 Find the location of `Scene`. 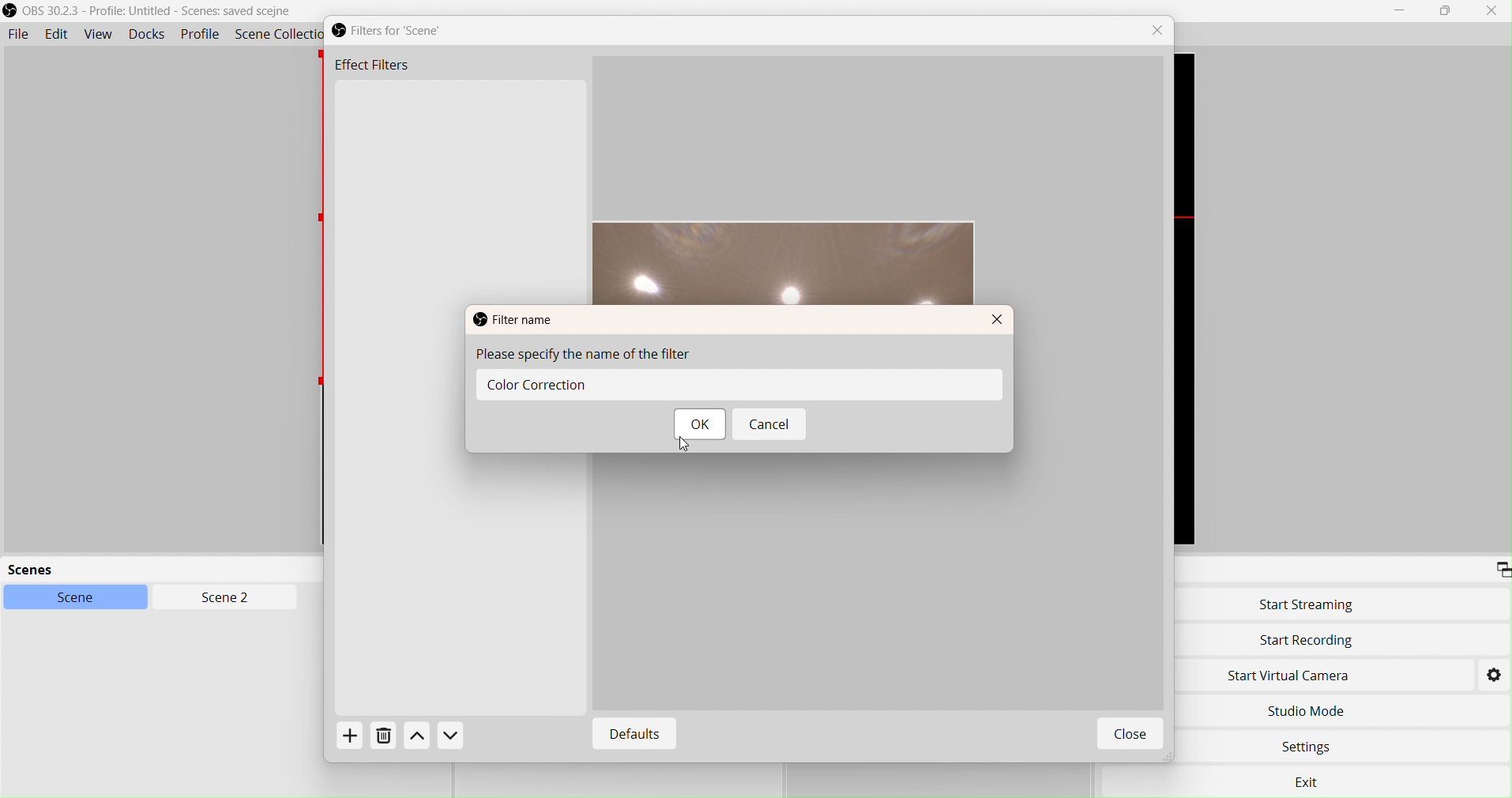

Scene is located at coordinates (85, 598).